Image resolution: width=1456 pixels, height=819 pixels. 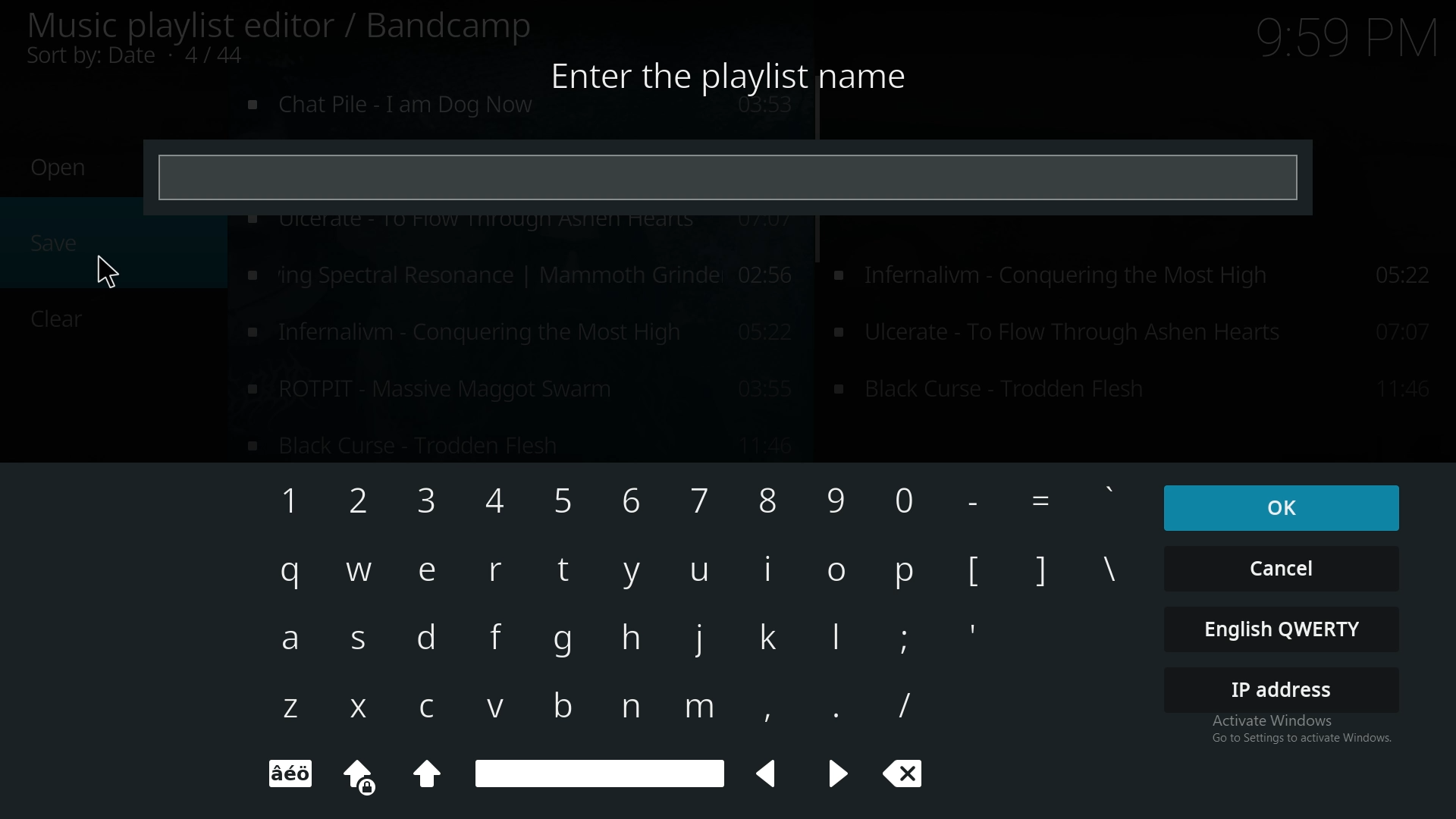 I want to click on english qwerty, so click(x=1284, y=629).